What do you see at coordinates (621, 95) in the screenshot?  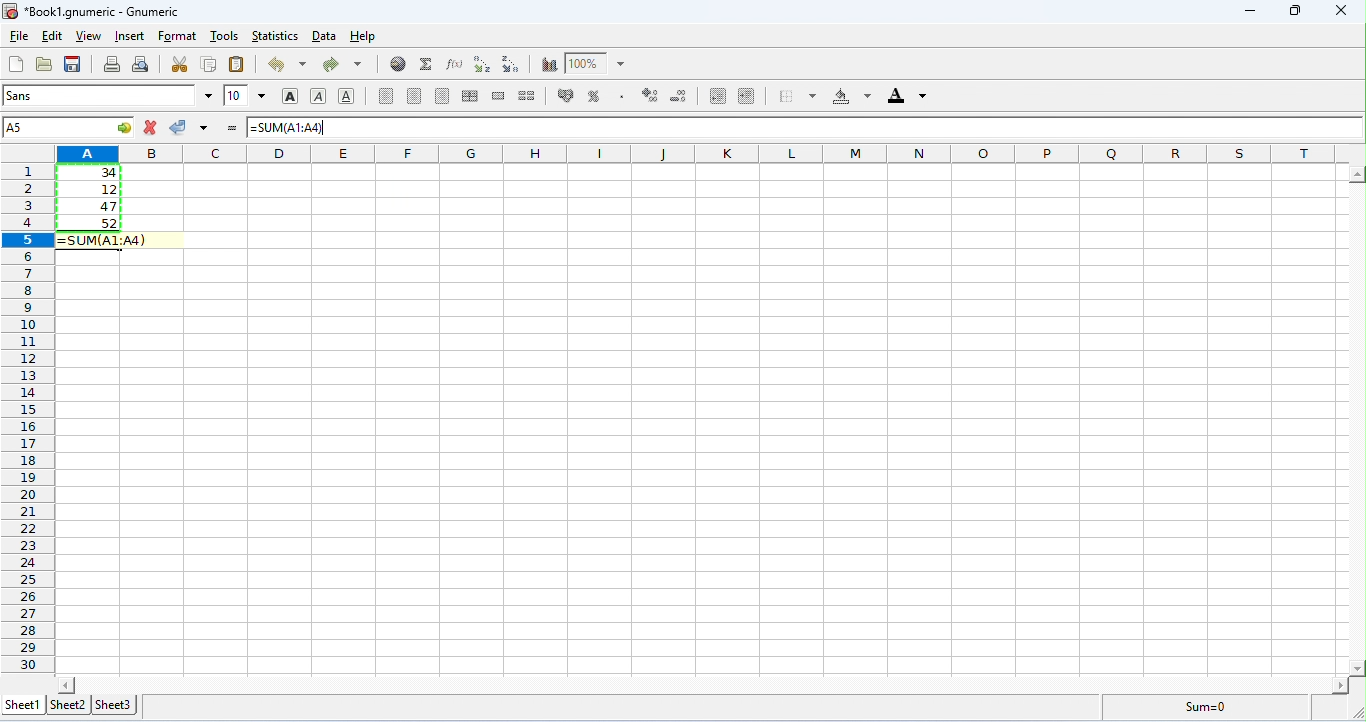 I see `includes a thousands separator` at bounding box center [621, 95].